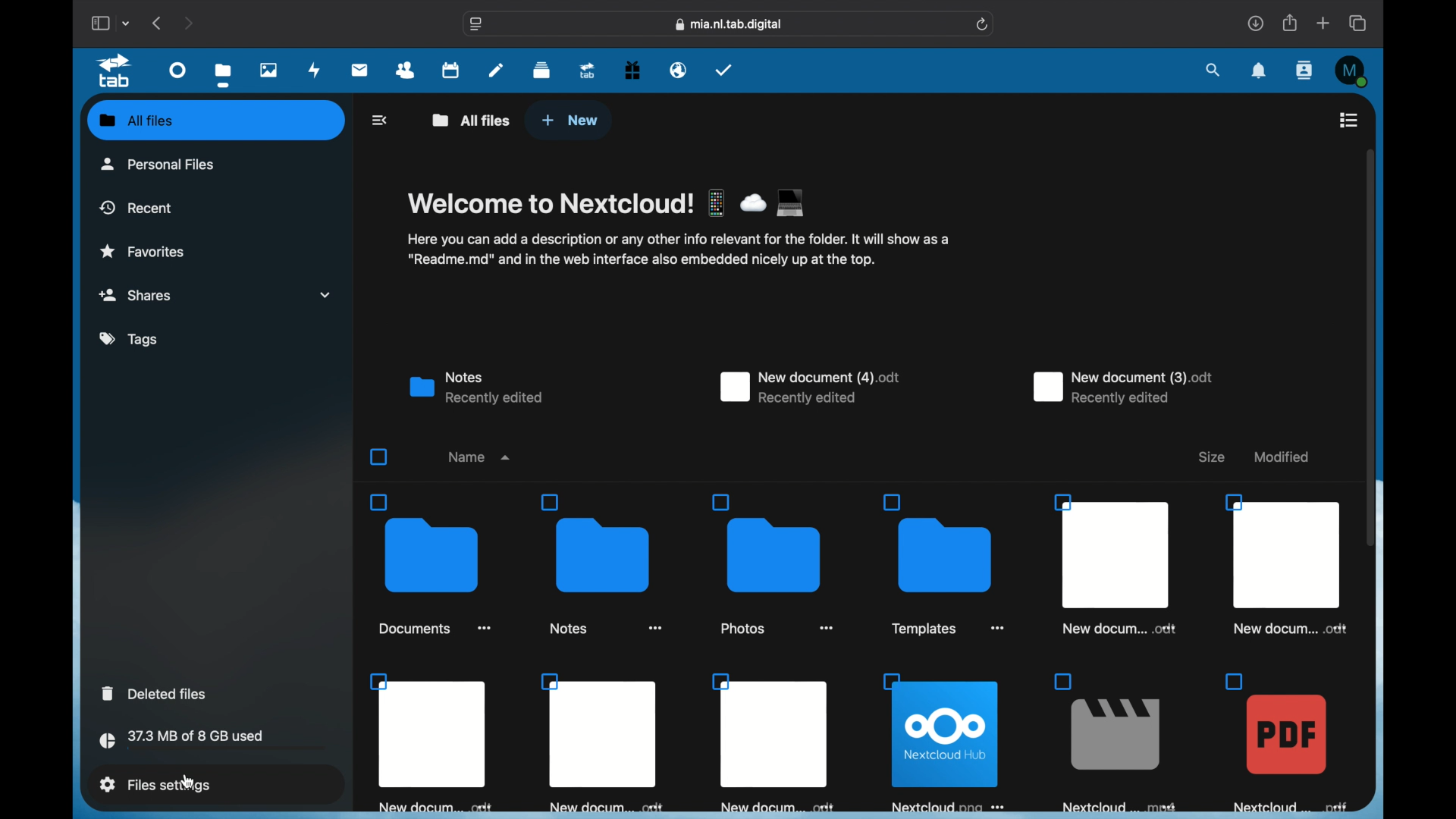  I want to click on share, so click(1288, 23).